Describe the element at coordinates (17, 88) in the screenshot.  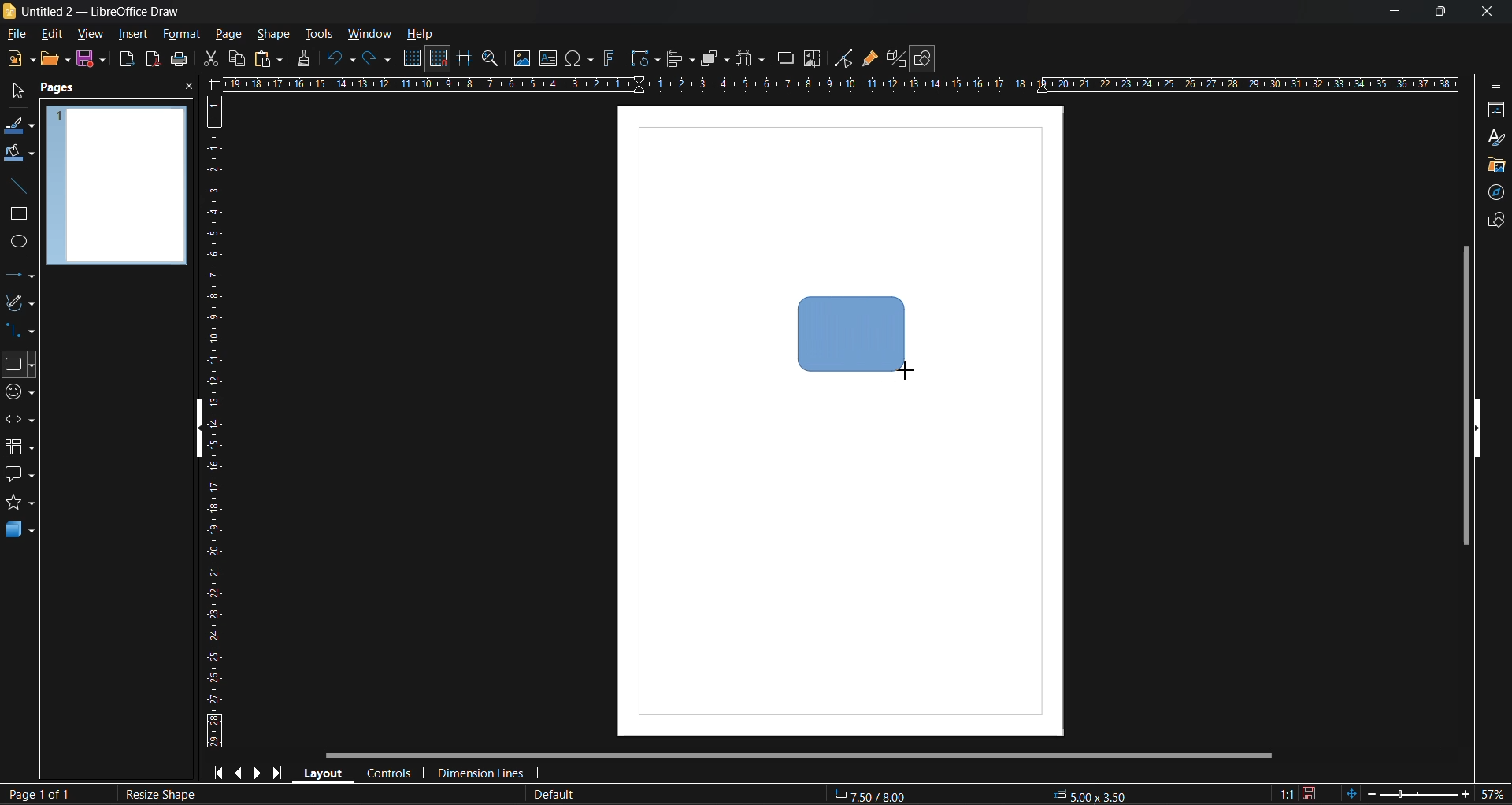
I see `select` at that location.